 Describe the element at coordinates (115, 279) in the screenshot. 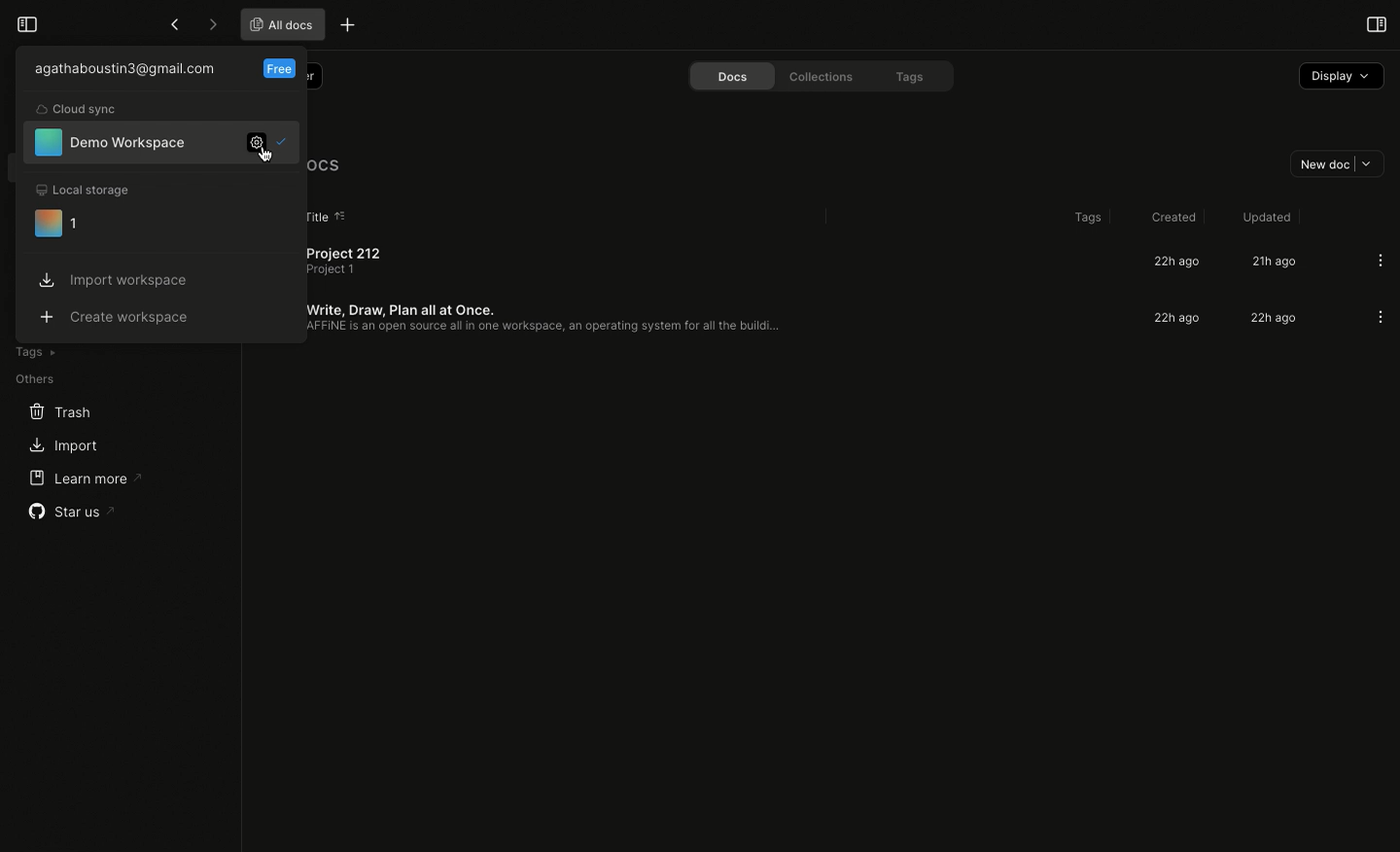

I see `Import workspace` at that location.